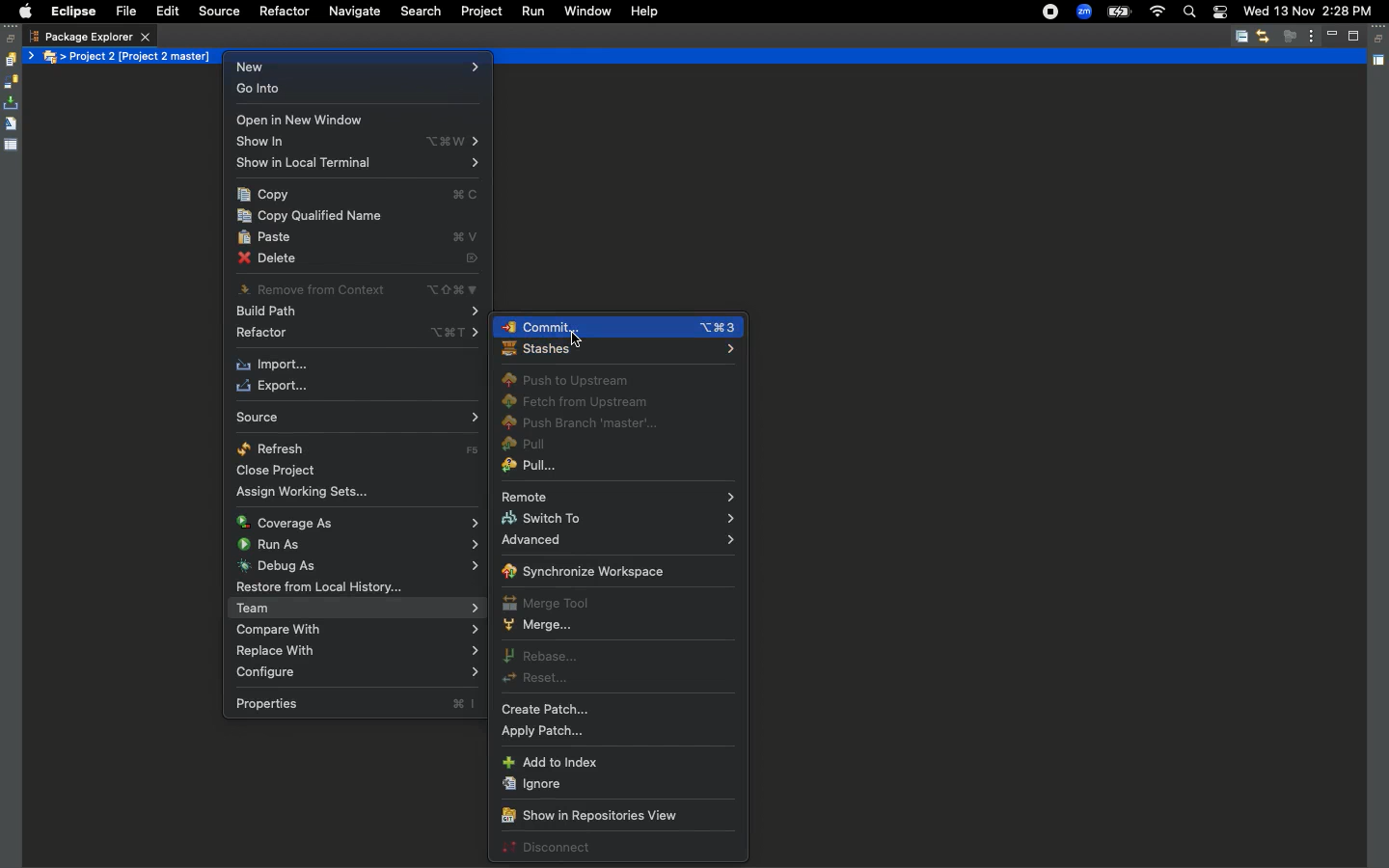 This screenshot has width=1389, height=868. Describe the element at coordinates (587, 426) in the screenshot. I see `Push branch master` at that location.